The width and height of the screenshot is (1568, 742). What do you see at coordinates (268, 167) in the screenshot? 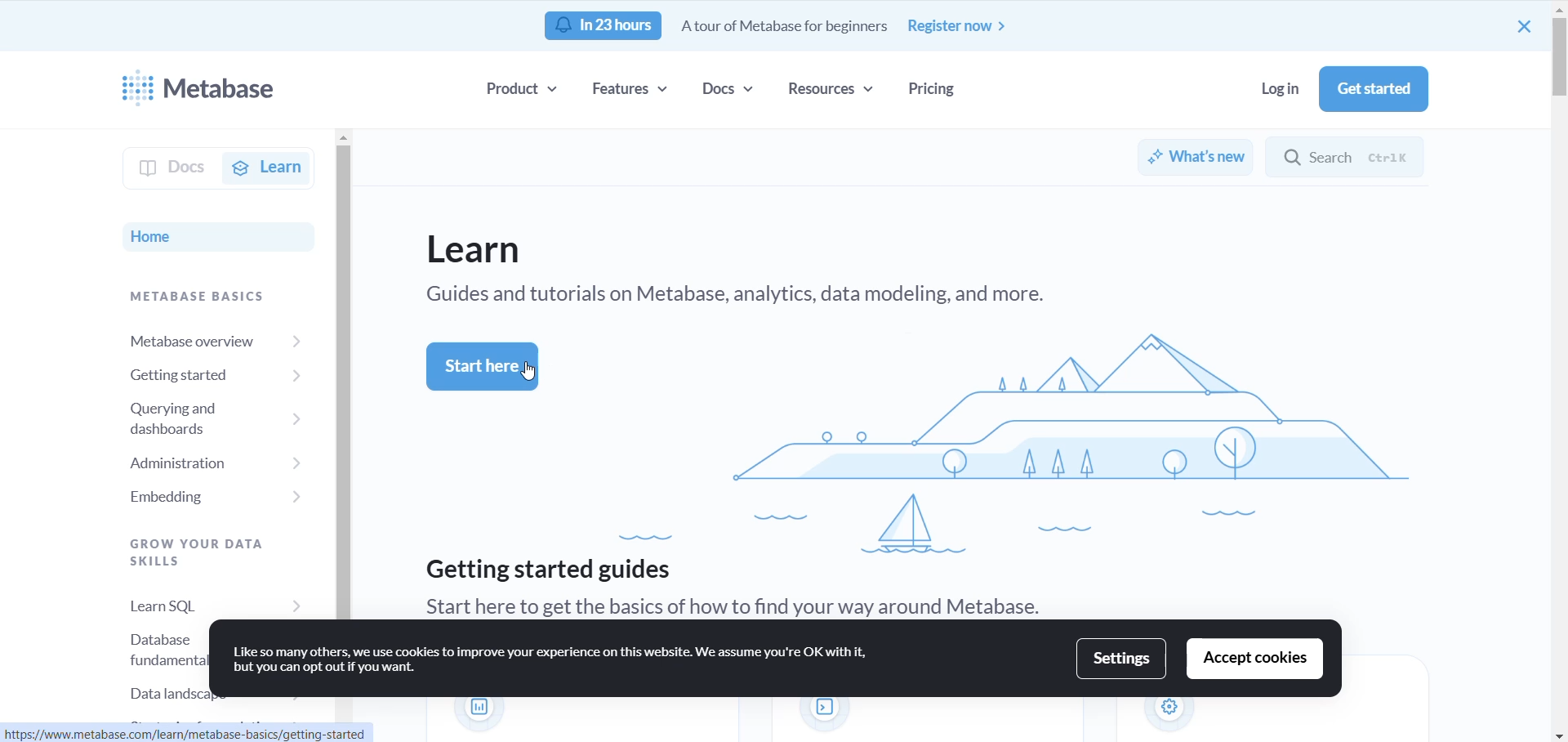
I see `learn` at bounding box center [268, 167].